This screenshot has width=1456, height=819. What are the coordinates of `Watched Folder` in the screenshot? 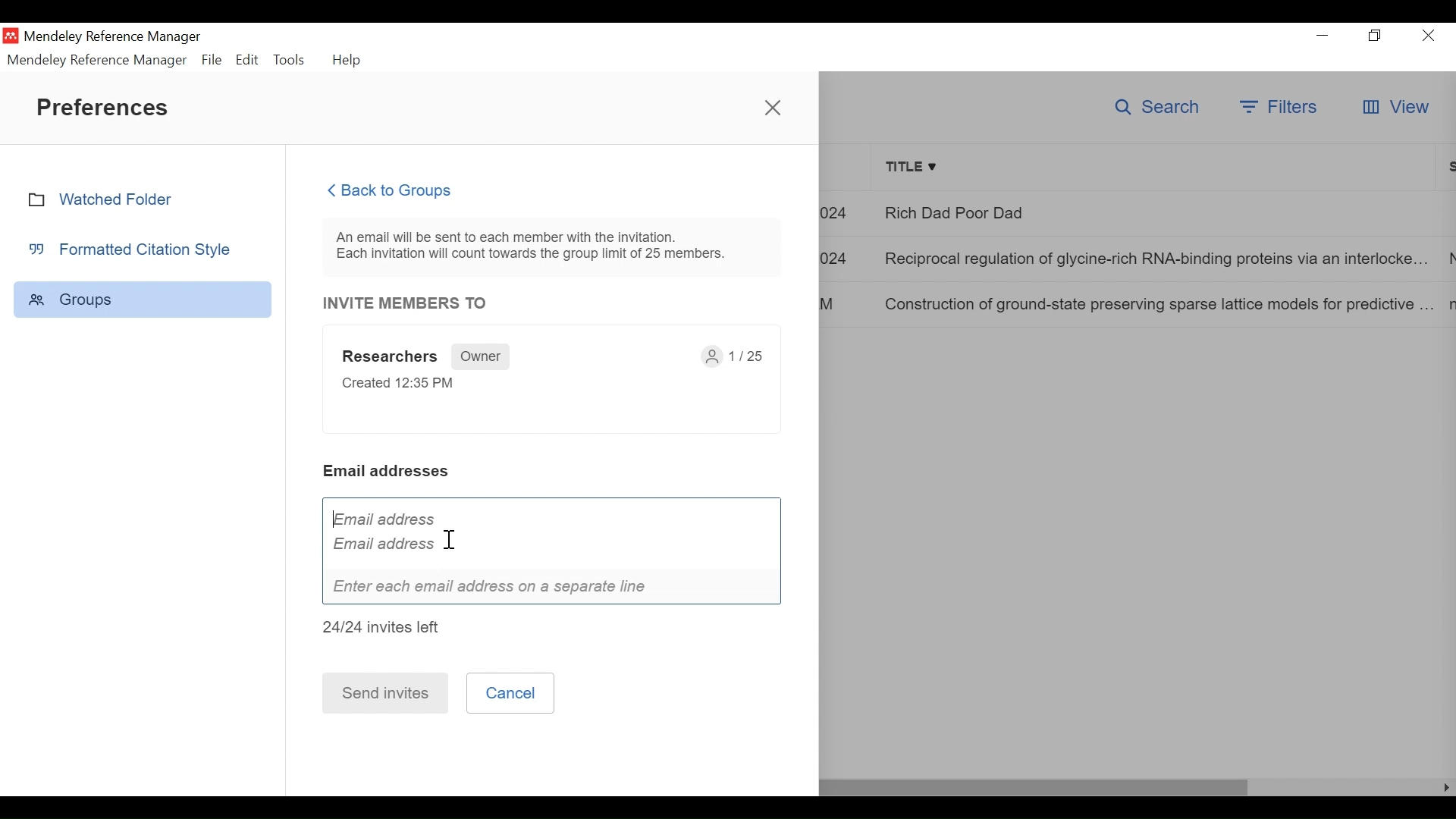 It's located at (108, 199).